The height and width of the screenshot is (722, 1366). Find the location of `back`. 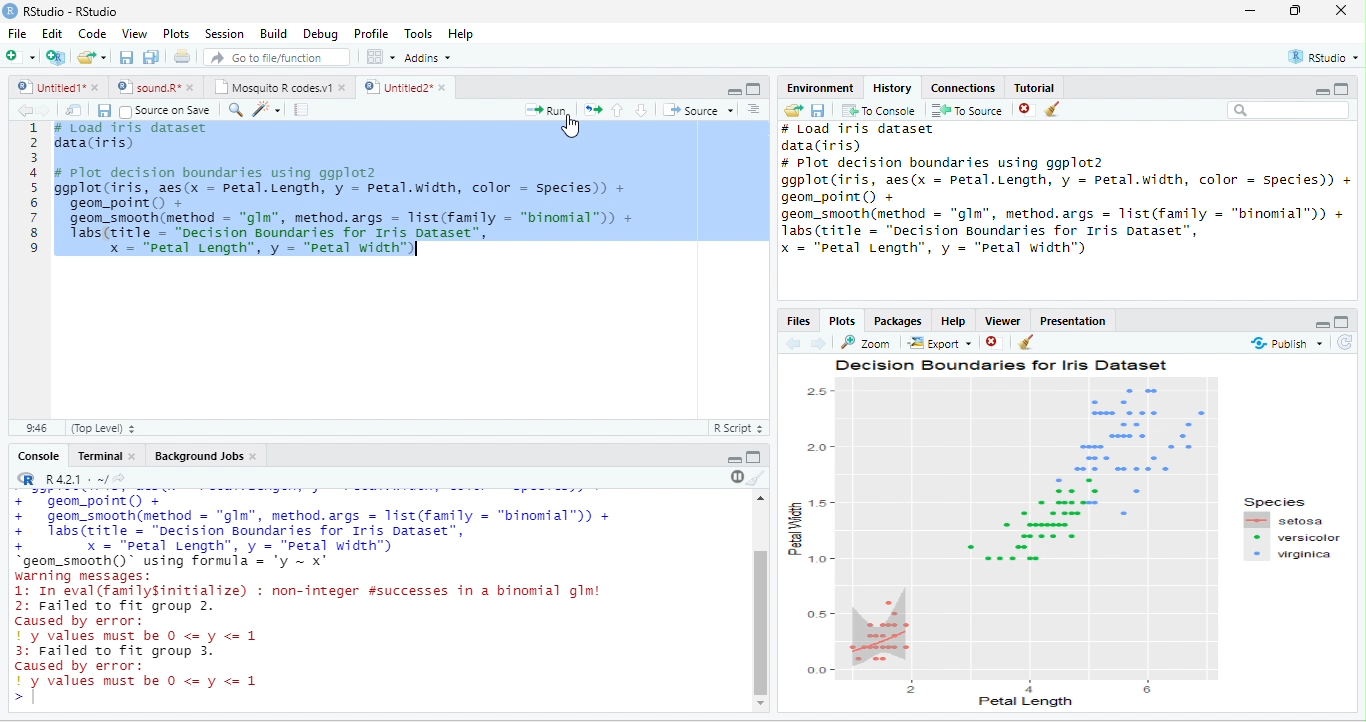

back is located at coordinates (792, 344).